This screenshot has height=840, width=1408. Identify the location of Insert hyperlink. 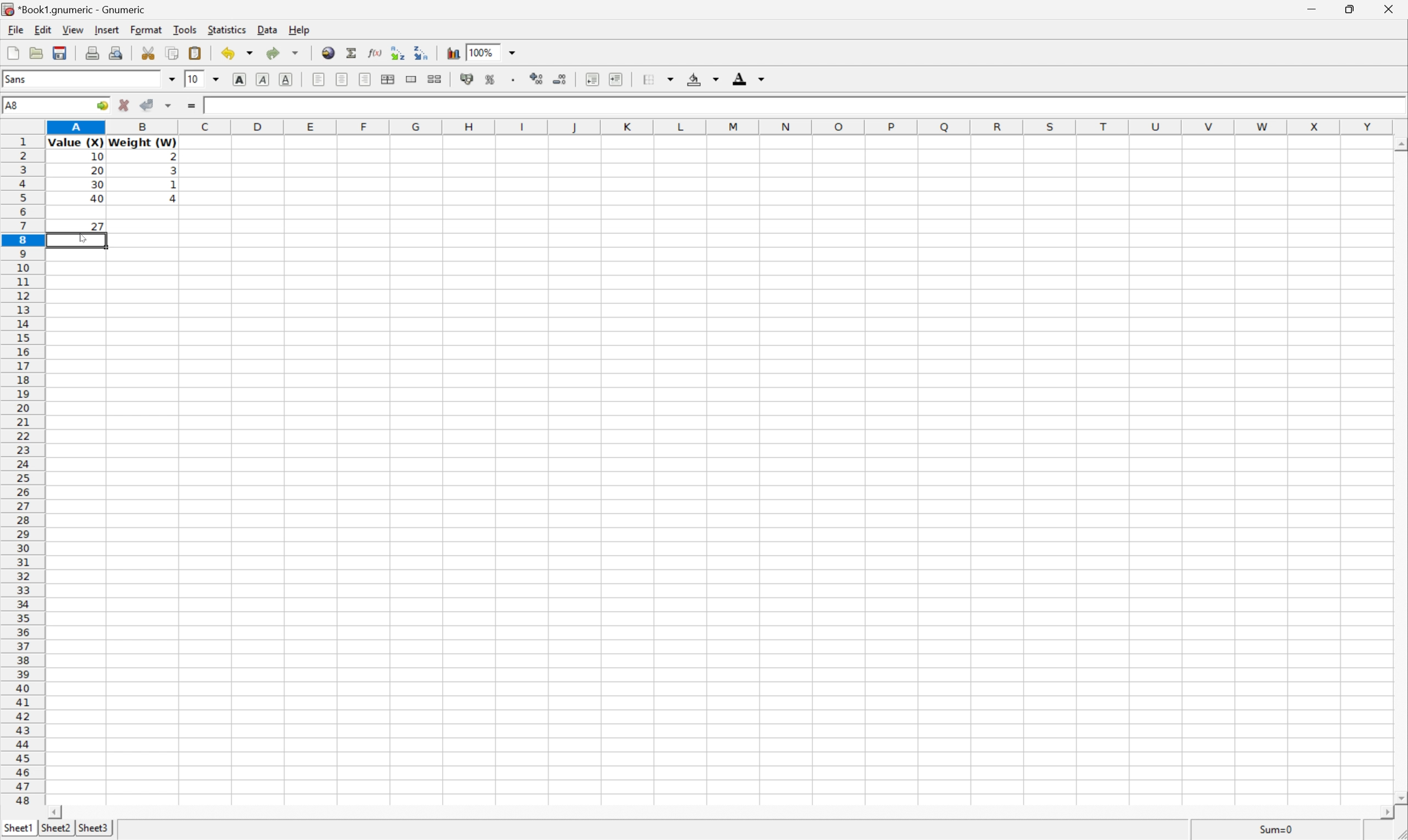
(330, 52).